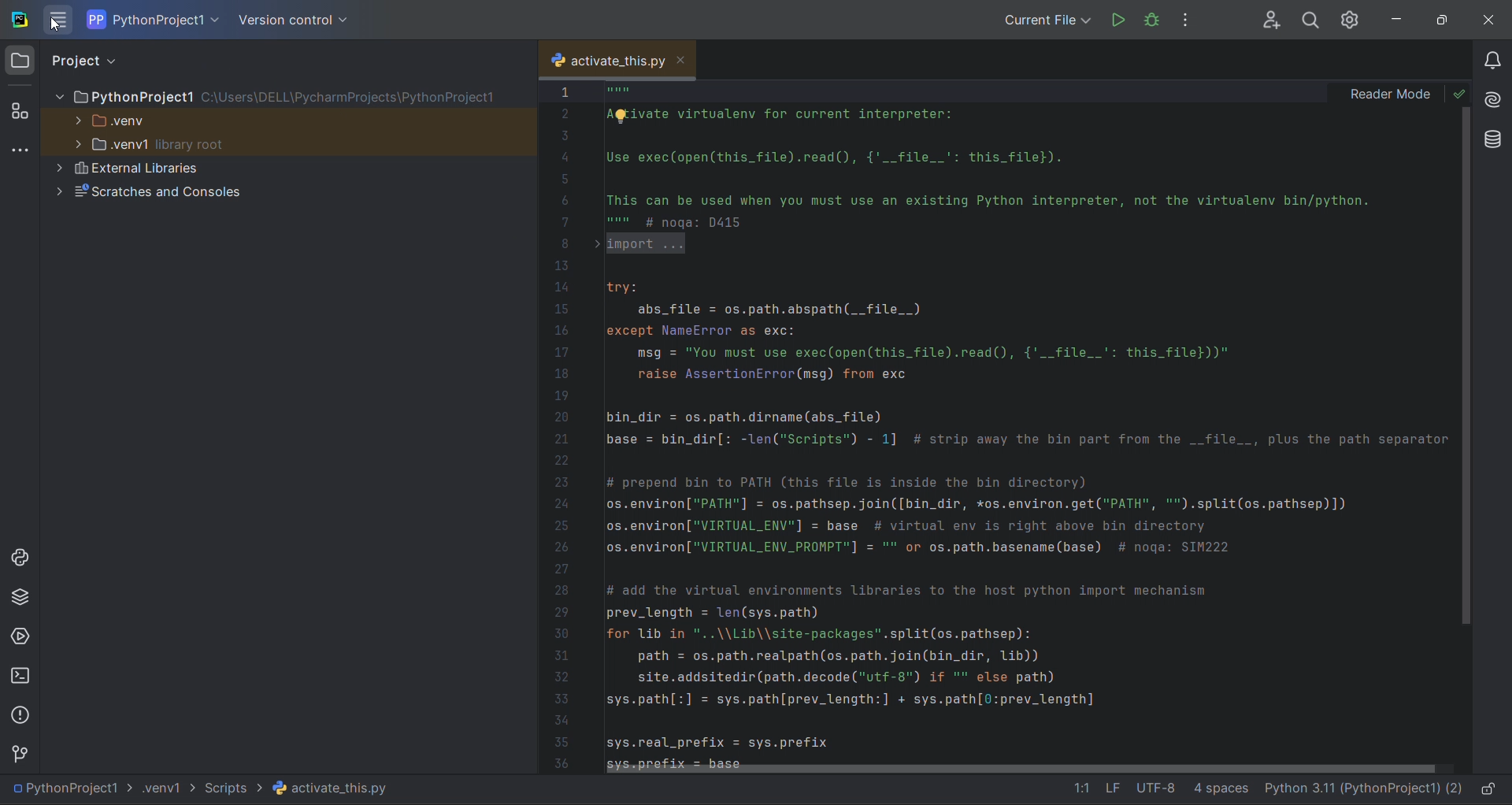 The image size is (1512, 805). What do you see at coordinates (687, 60) in the screenshot?
I see `close` at bounding box center [687, 60].